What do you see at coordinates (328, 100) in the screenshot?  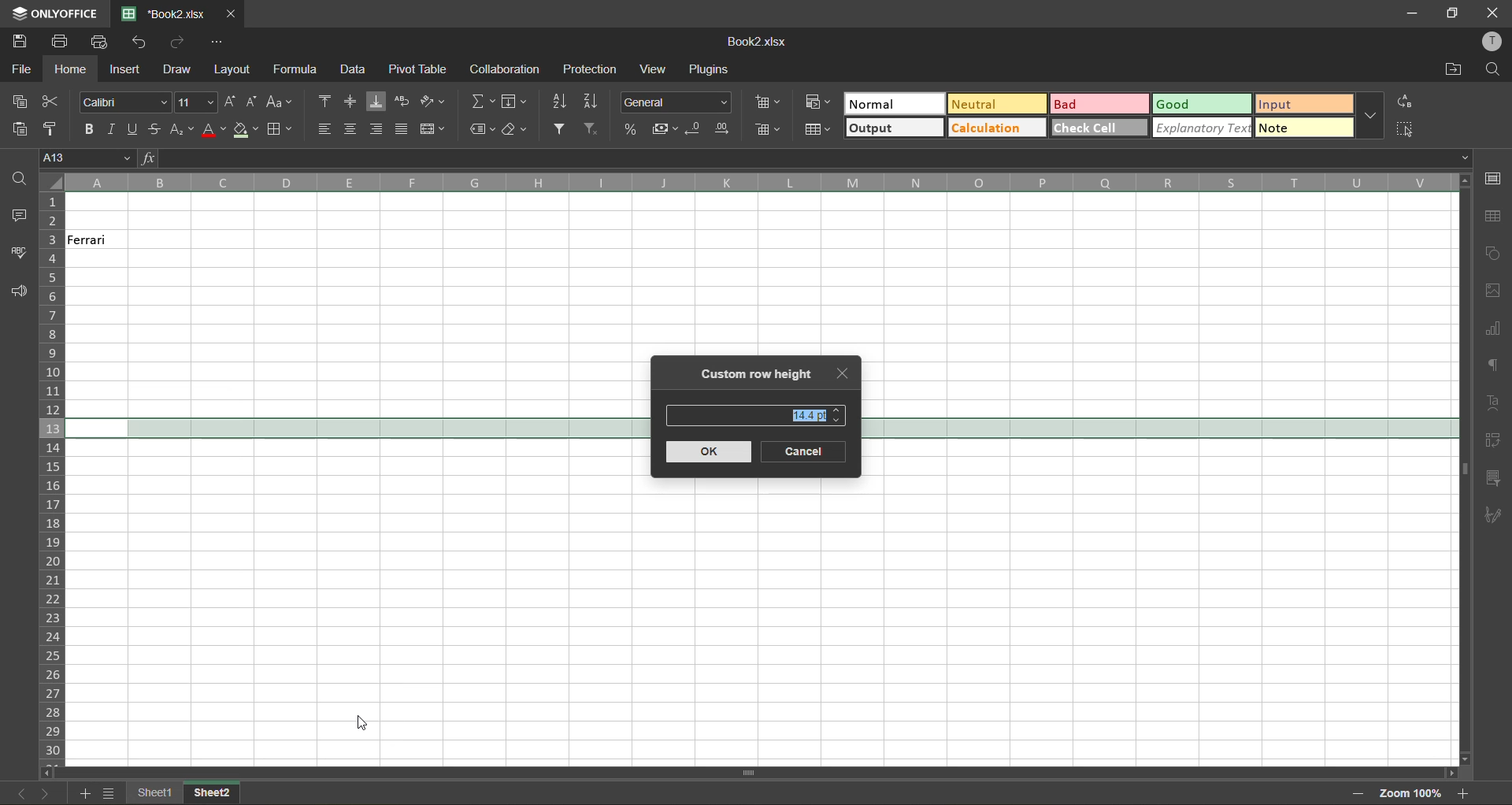 I see `align top` at bounding box center [328, 100].